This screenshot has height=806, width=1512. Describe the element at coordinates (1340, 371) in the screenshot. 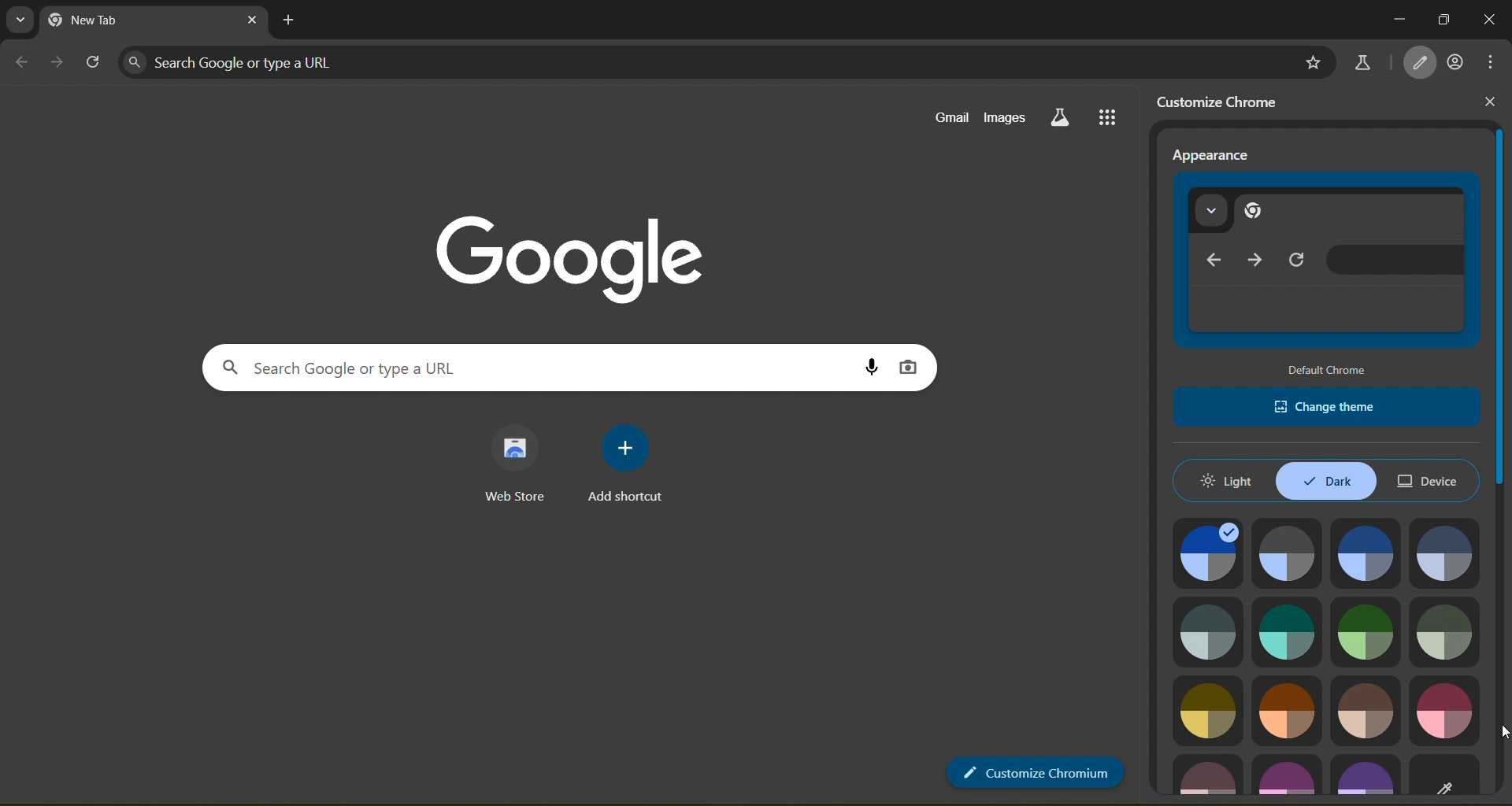

I see `default chromw` at that location.